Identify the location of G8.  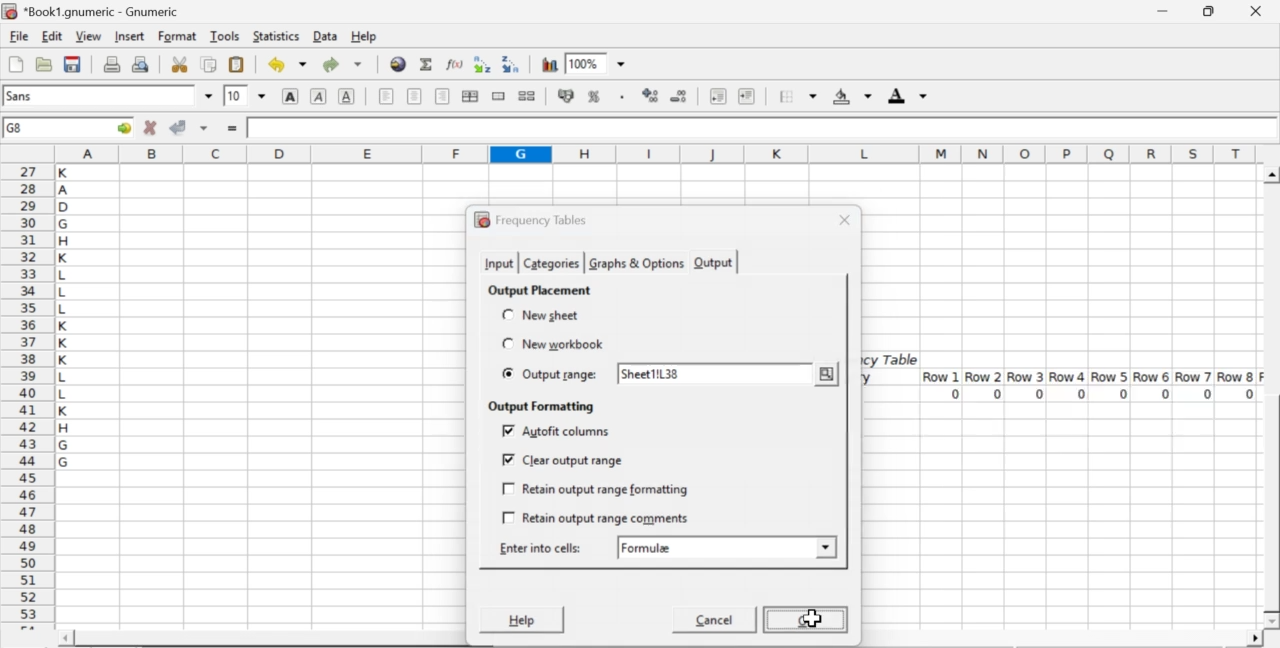
(17, 128).